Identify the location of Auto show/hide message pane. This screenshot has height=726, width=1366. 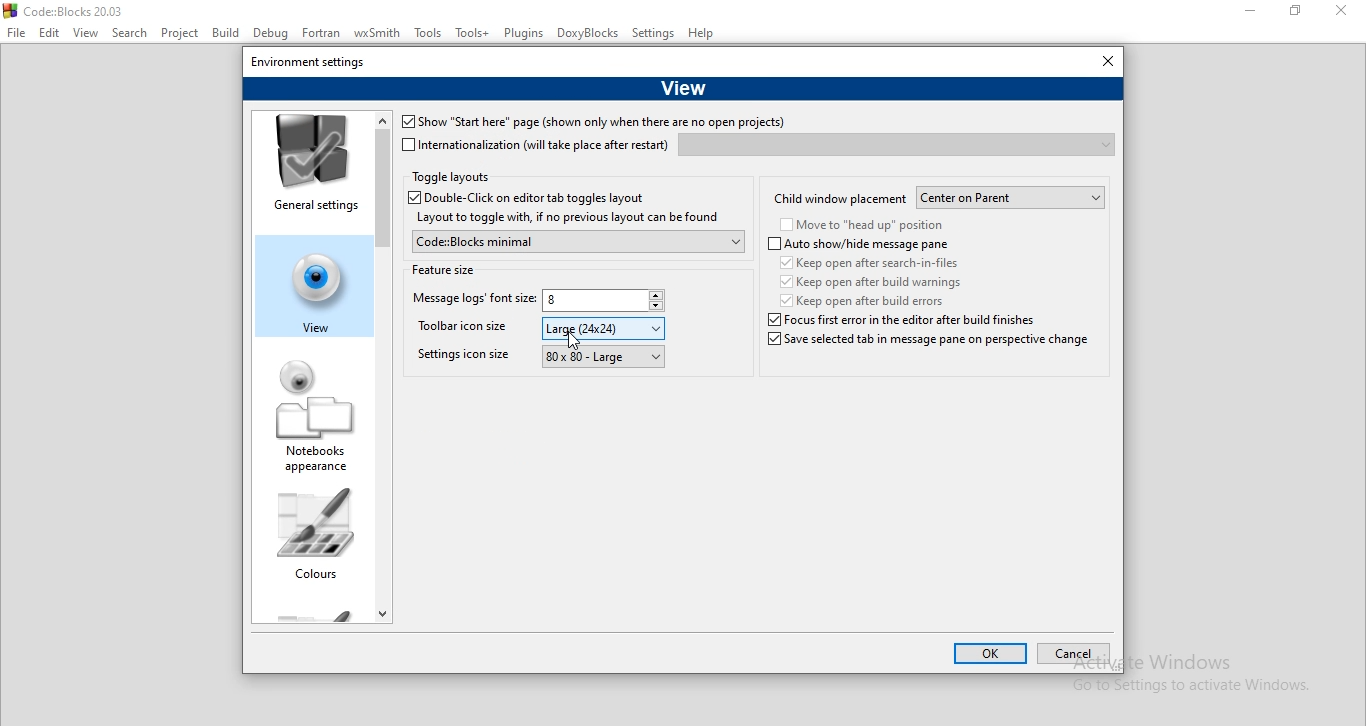
(859, 245).